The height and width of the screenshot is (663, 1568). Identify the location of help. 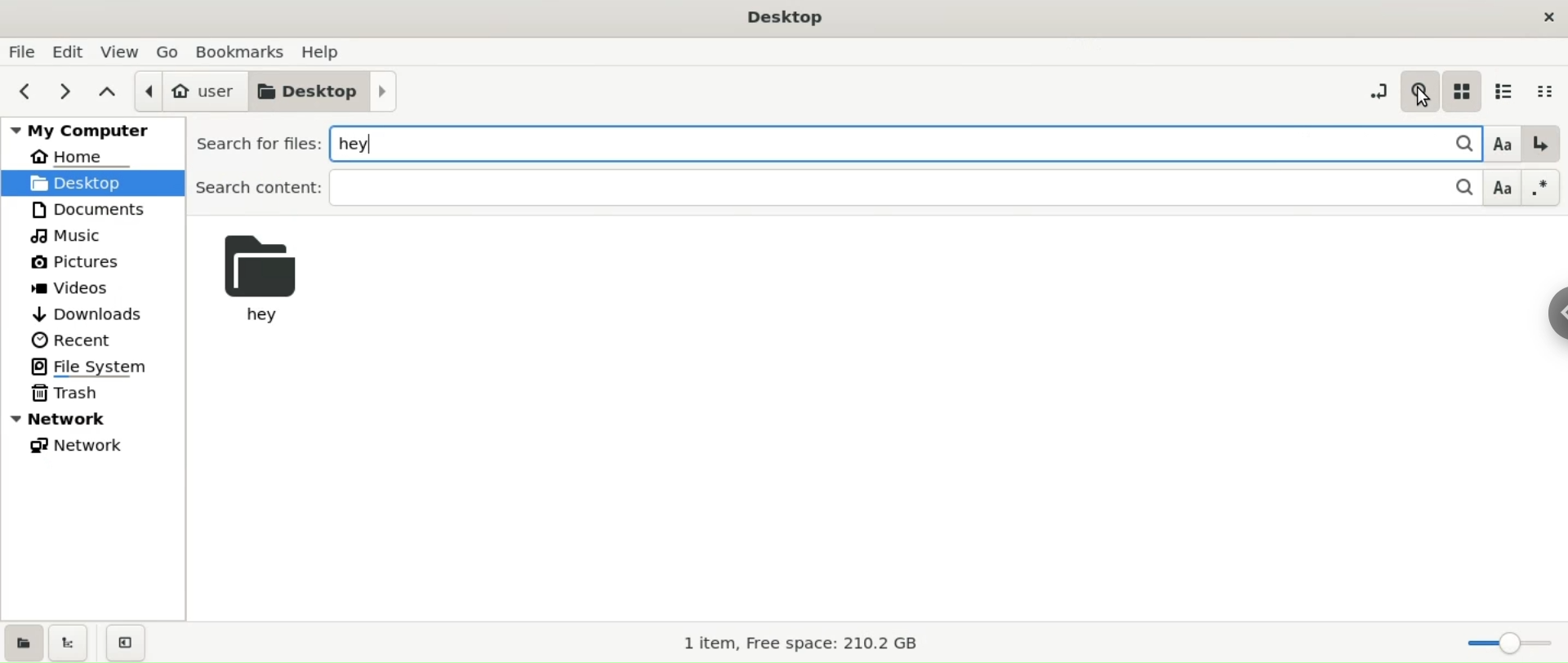
(325, 52).